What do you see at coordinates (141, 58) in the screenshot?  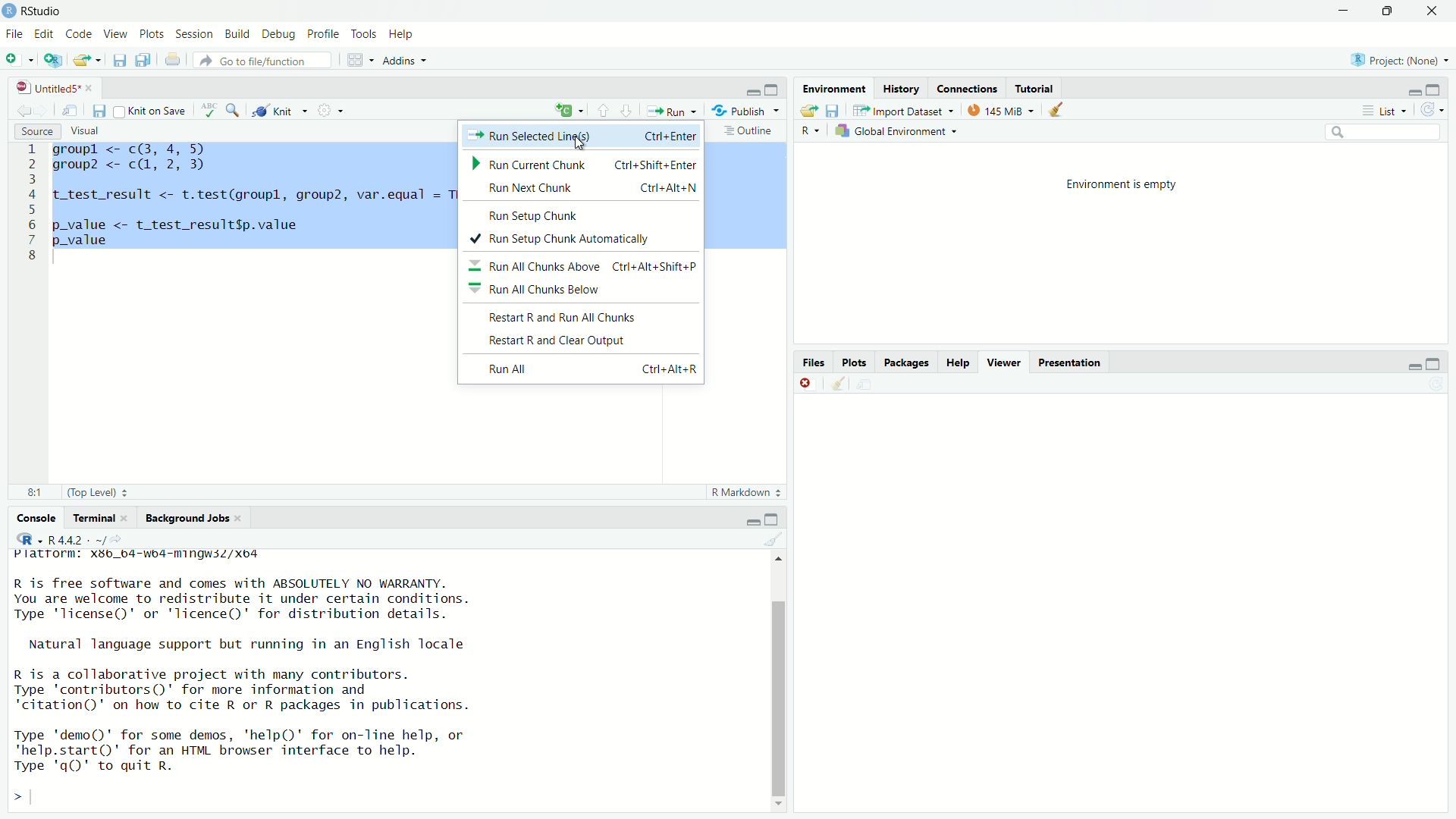 I see `save all open document` at bounding box center [141, 58].